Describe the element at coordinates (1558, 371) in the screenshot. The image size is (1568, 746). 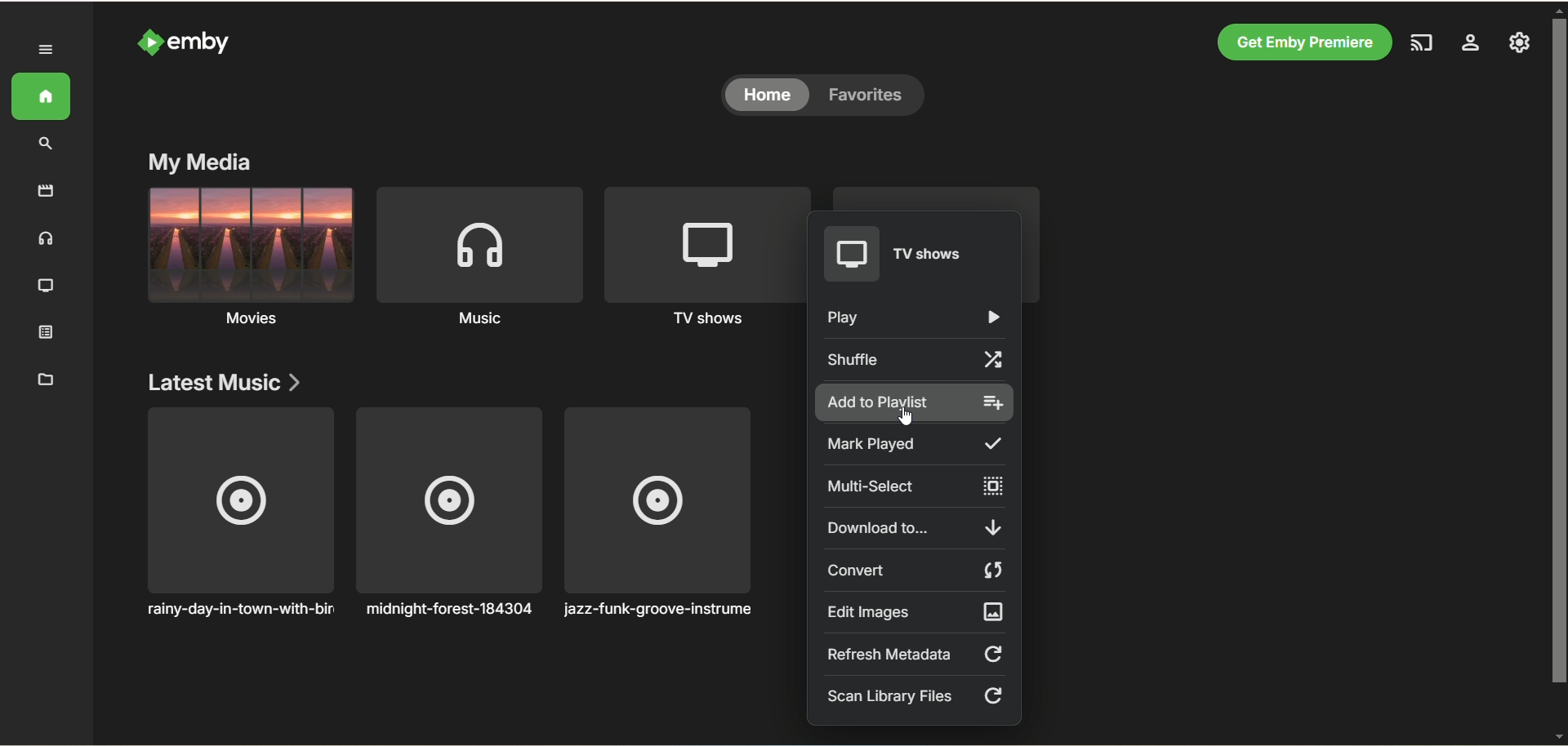
I see `vertical scroll bar` at that location.